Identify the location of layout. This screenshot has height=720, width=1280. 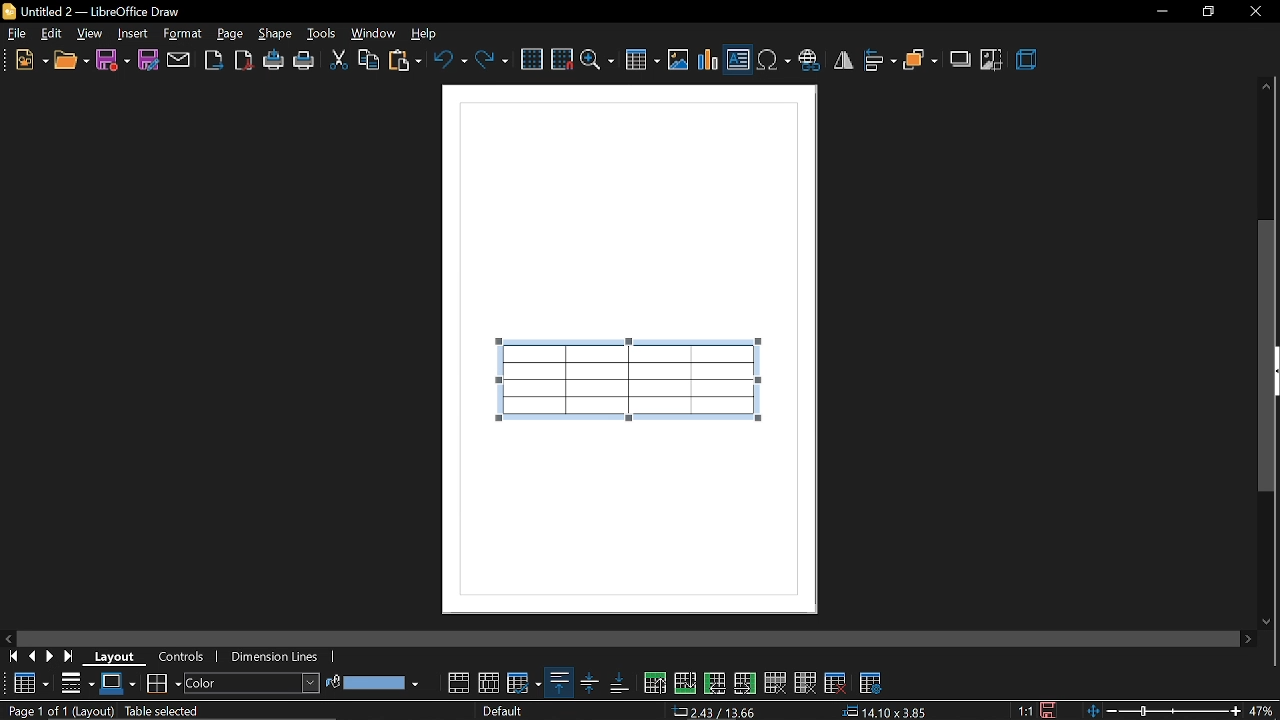
(119, 657).